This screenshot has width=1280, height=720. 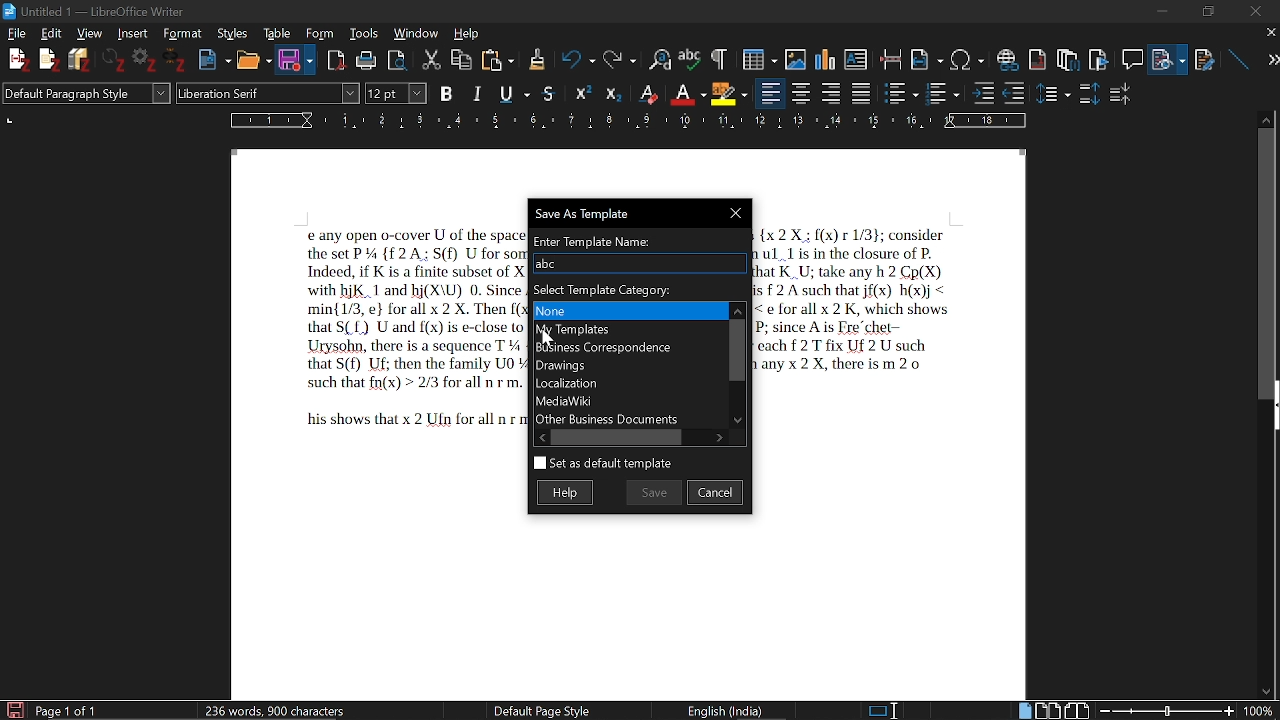 I want to click on vertical scroll bar, so click(x=1267, y=262).